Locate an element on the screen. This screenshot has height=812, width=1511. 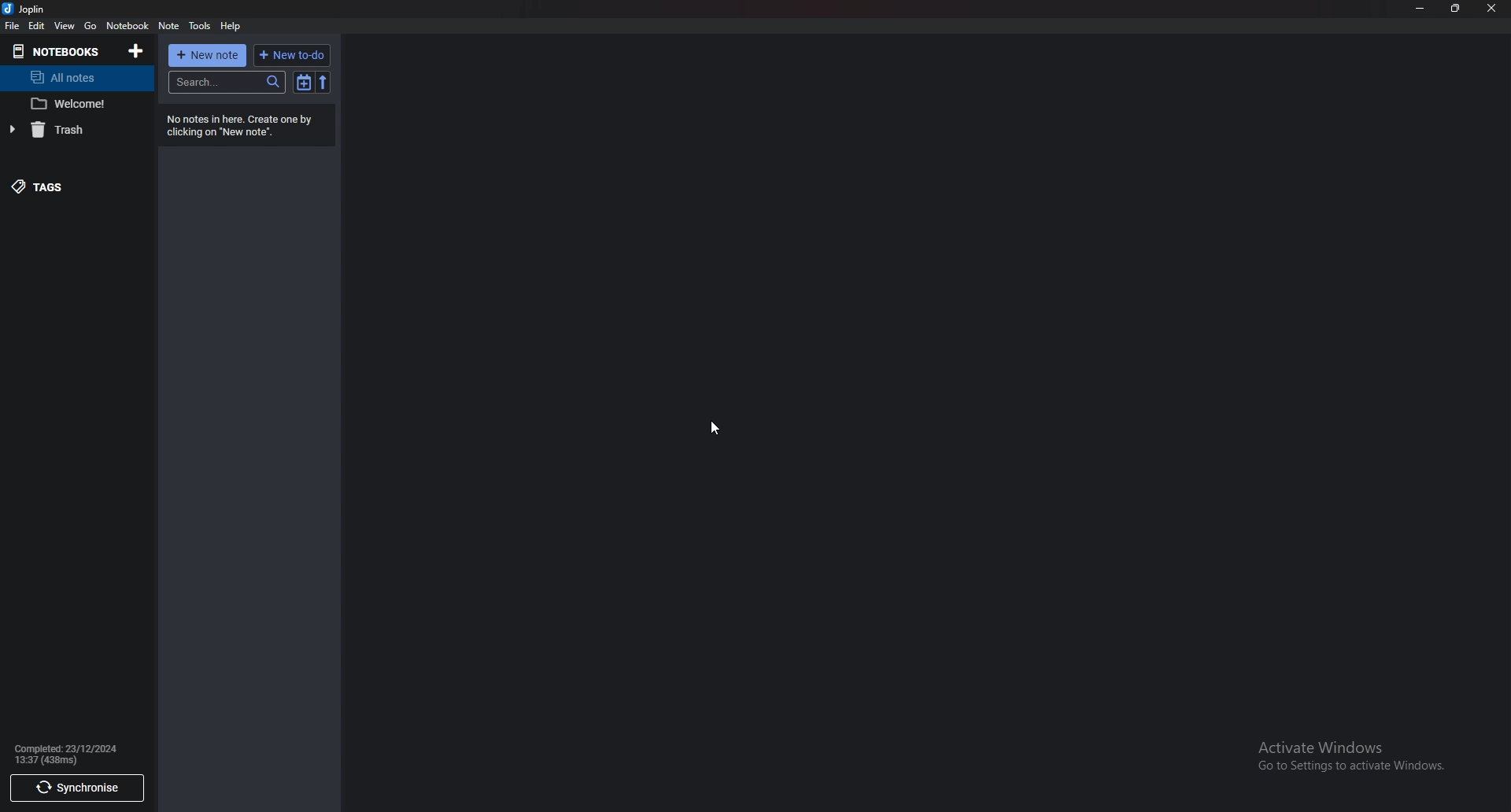
note is located at coordinates (171, 25).